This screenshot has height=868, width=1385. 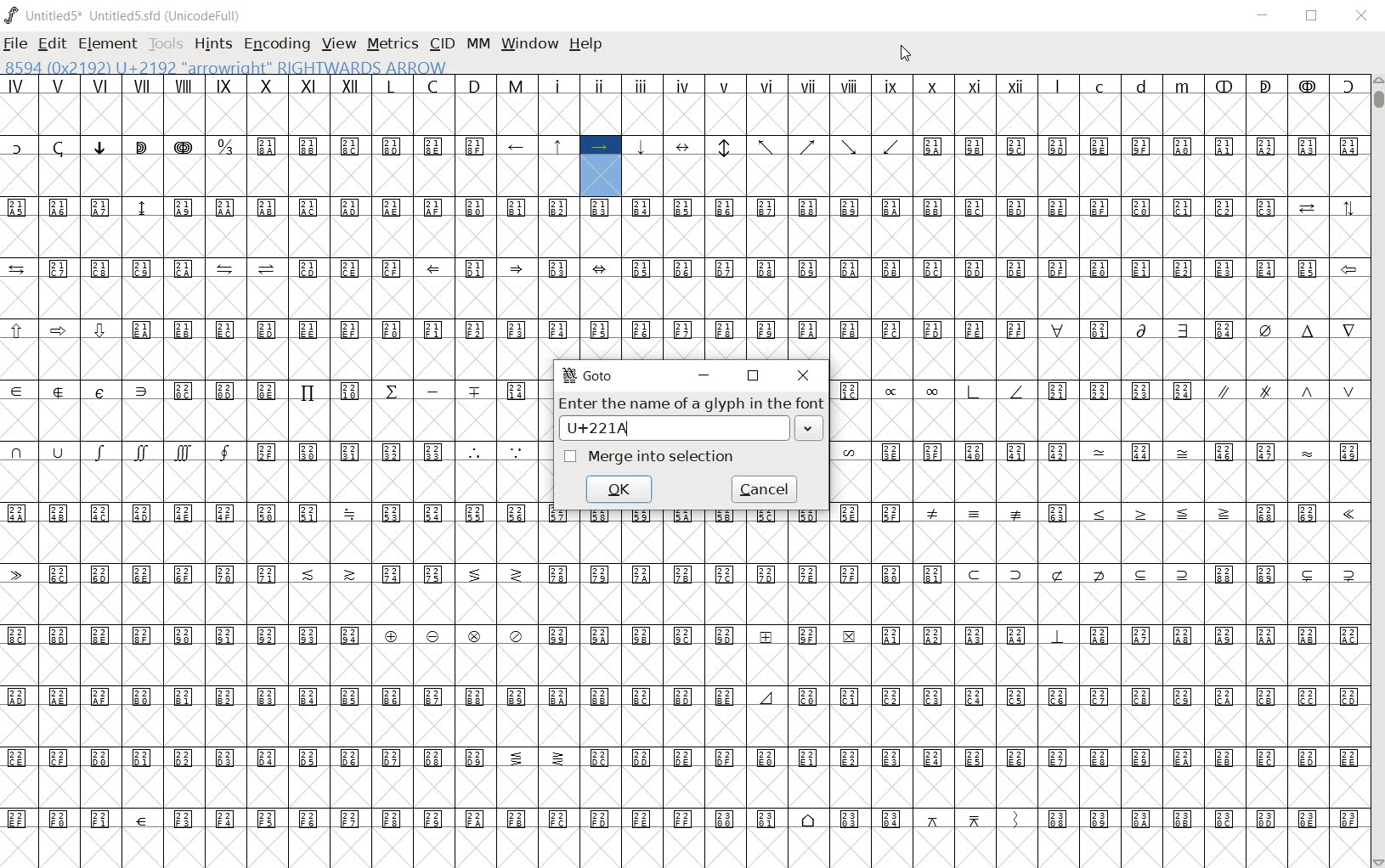 I want to click on CURSOR, so click(x=905, y=56).